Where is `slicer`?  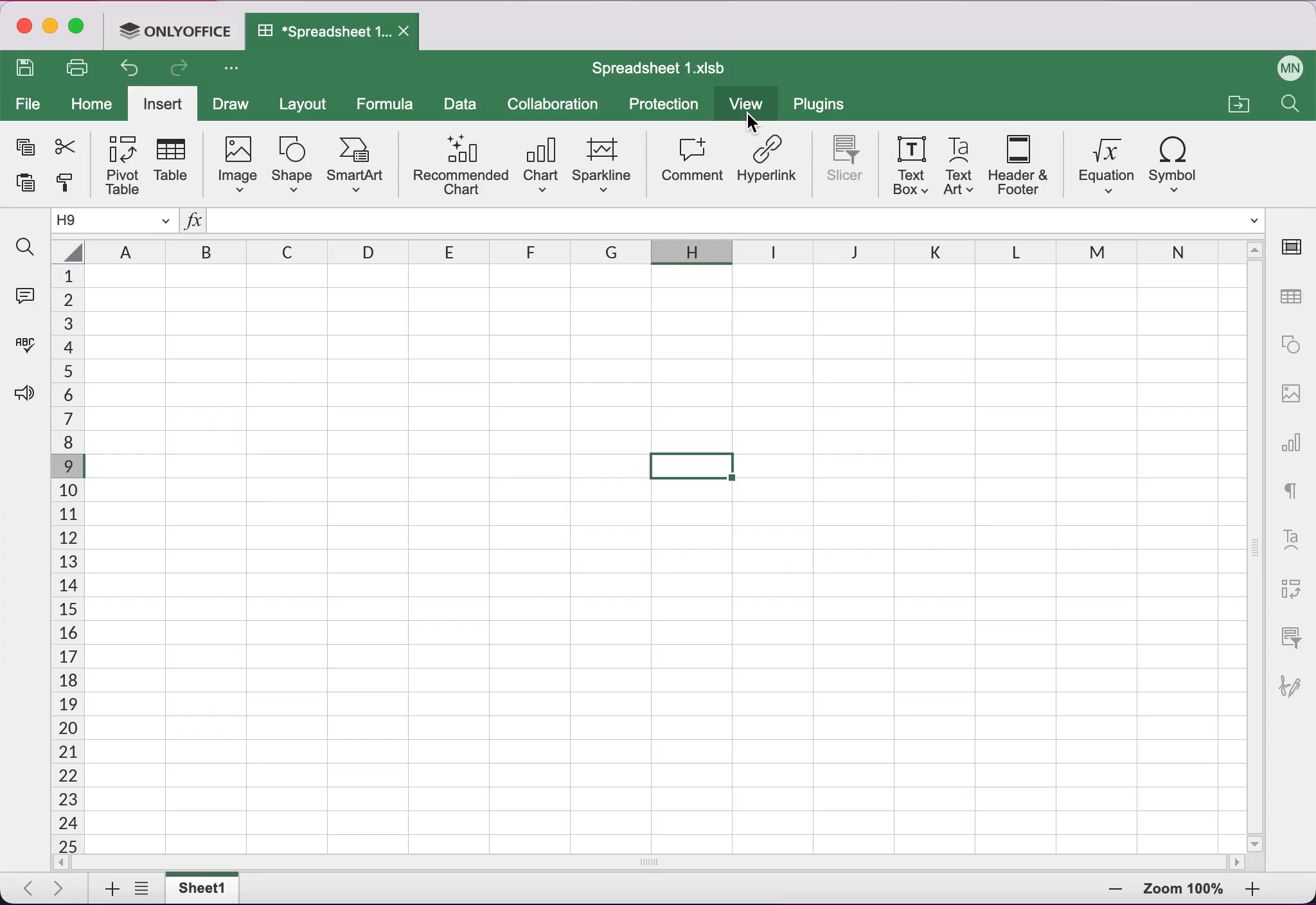 slicer is located at coordinates (1295, 634).